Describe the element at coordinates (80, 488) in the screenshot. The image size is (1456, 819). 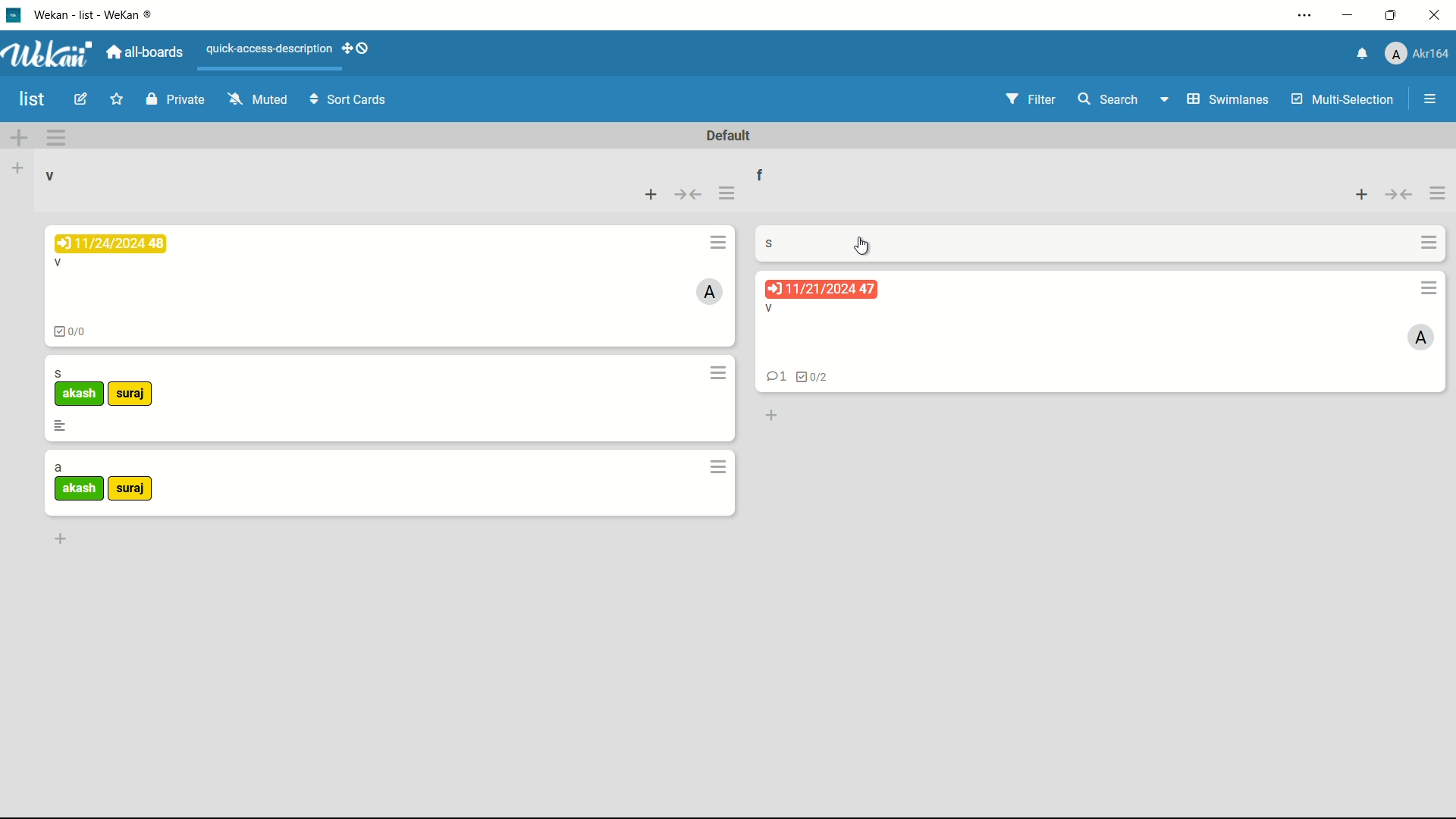
I see `label-1` at that location.